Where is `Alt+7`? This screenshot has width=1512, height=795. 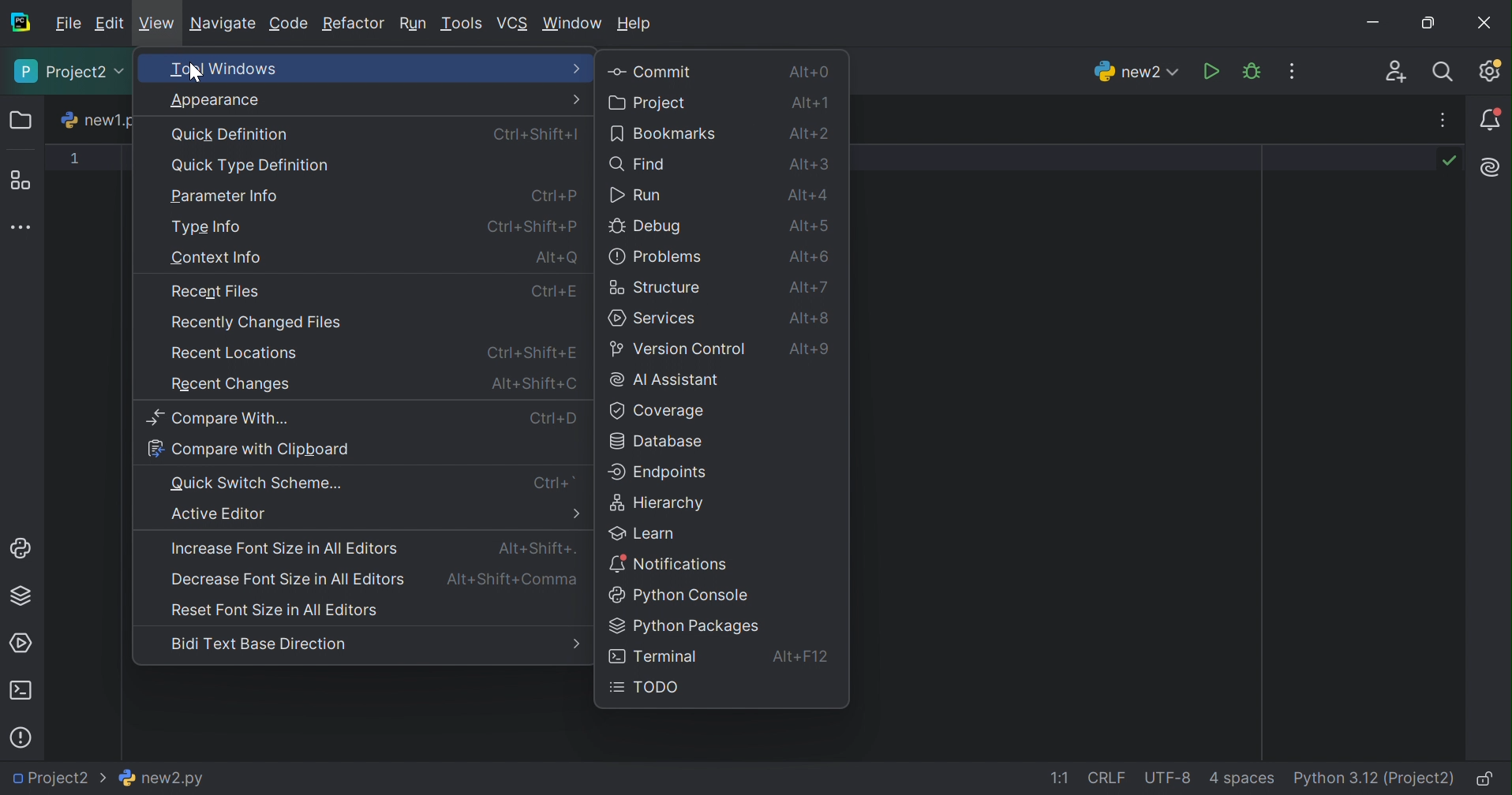
Alt+7 is located at coordinates (807, 287).